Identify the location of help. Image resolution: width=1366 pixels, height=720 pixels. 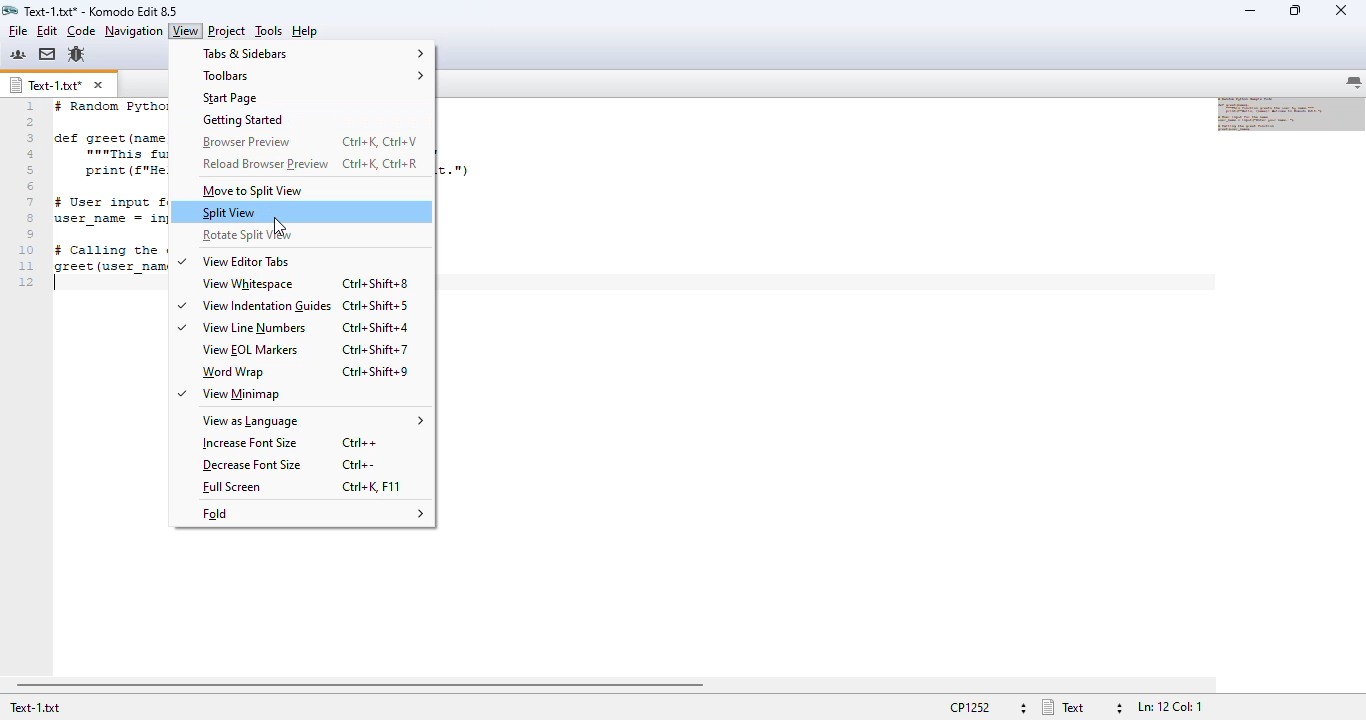
(306, 31).